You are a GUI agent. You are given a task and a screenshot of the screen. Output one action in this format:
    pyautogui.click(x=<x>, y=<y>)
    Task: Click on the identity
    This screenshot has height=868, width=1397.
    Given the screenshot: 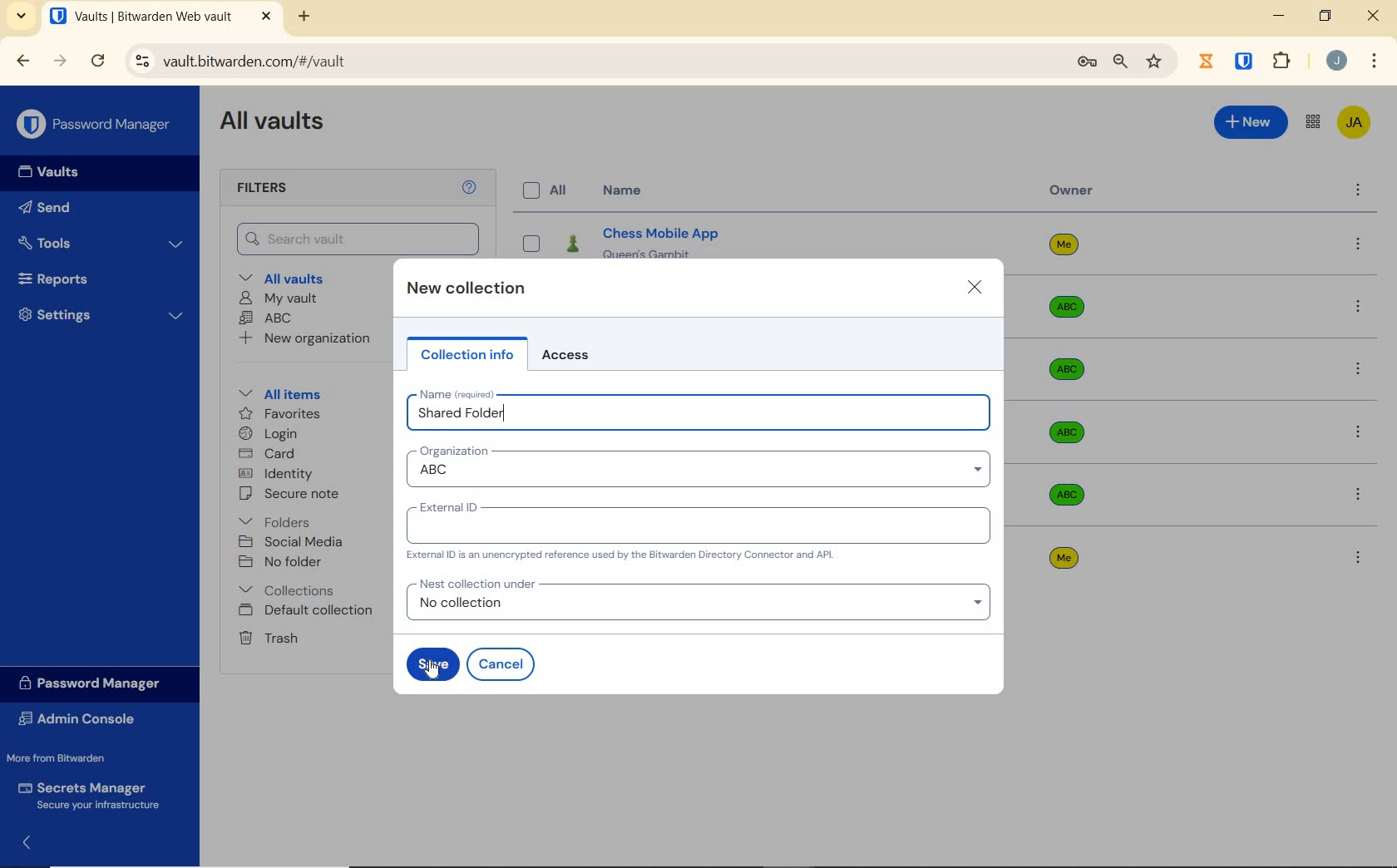 What is the action you would take?
    pyautogui.click(x=286, y=474)
    